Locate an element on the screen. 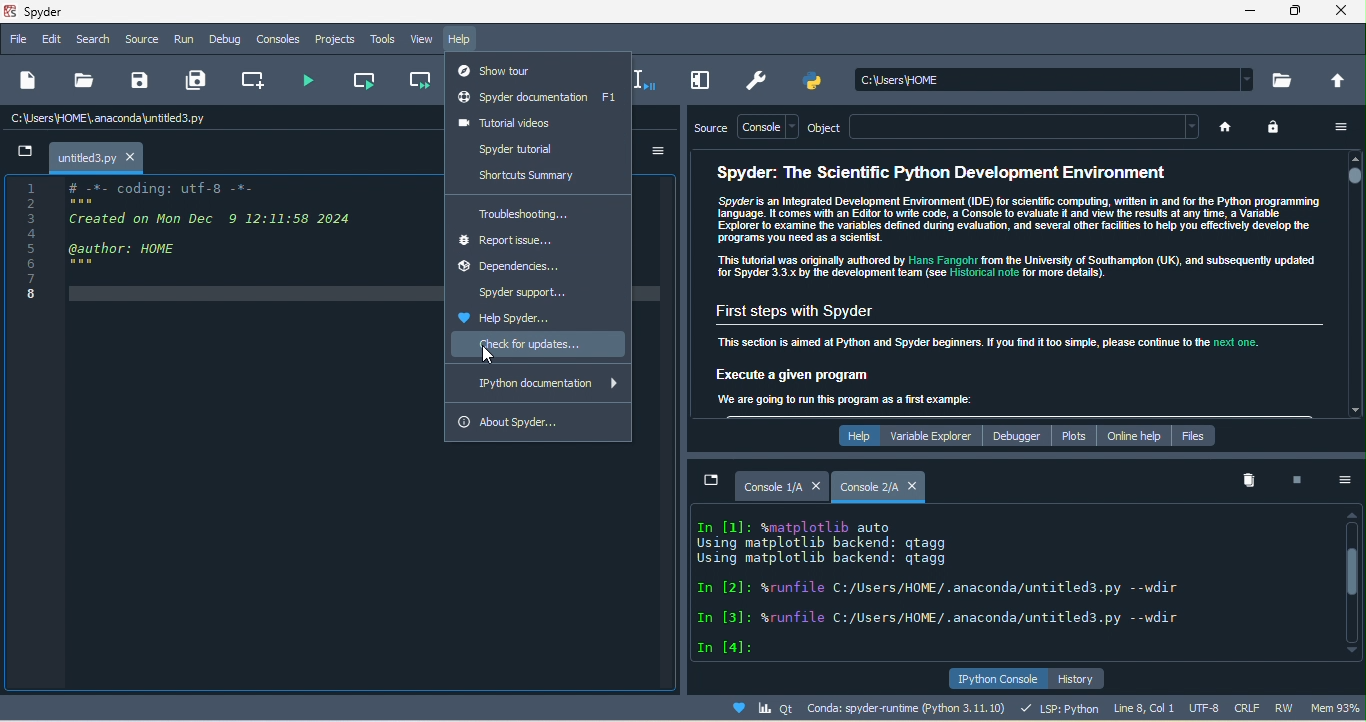  console is located at coordinates (280, 40).